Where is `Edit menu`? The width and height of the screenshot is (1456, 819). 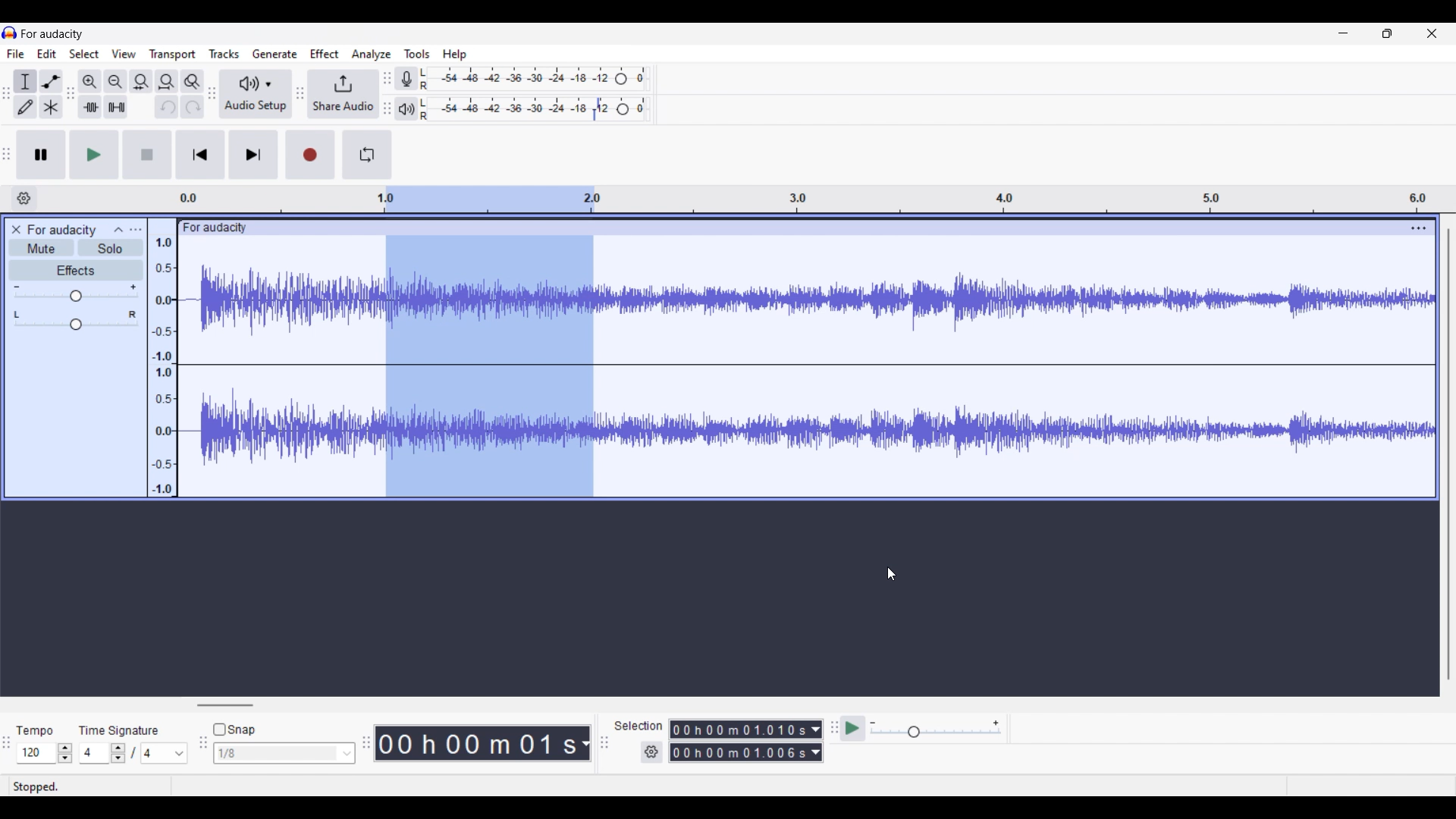 Edit menu is located at coordinates (46, 54).